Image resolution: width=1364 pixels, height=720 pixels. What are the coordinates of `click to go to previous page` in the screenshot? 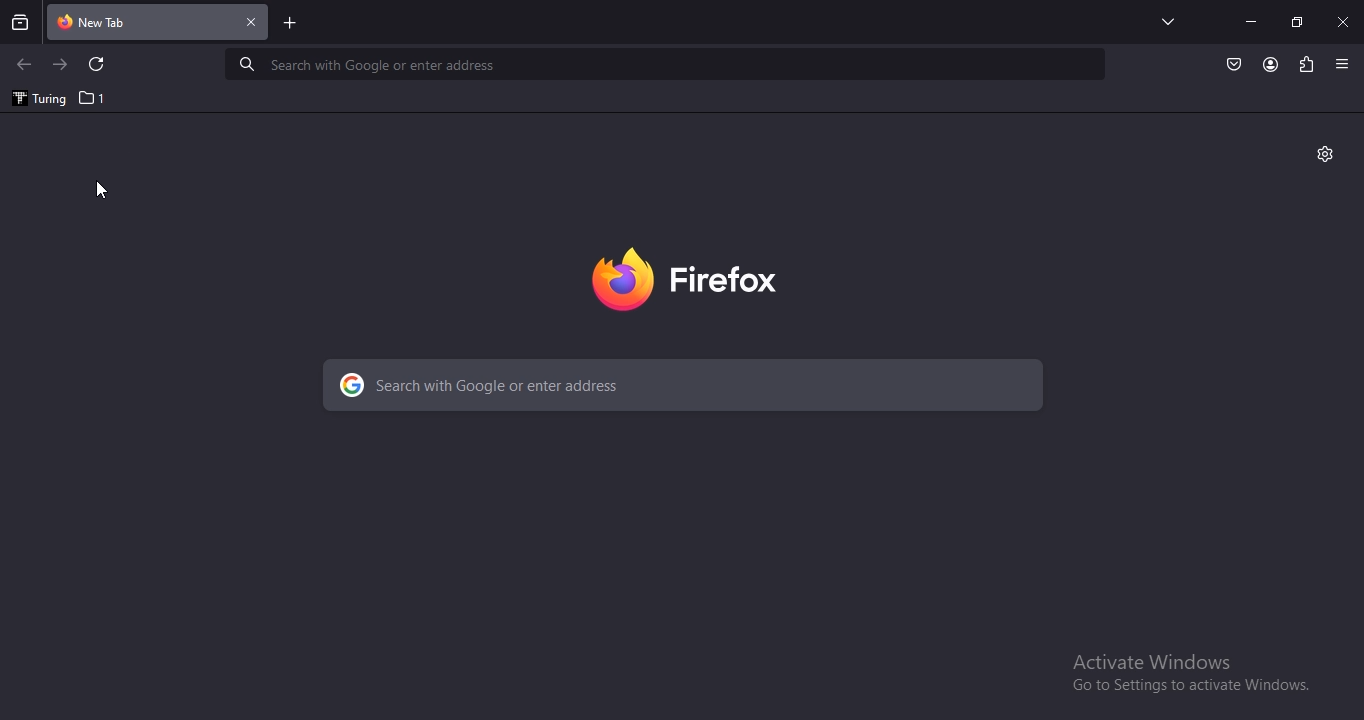 It's located at (23, 65).